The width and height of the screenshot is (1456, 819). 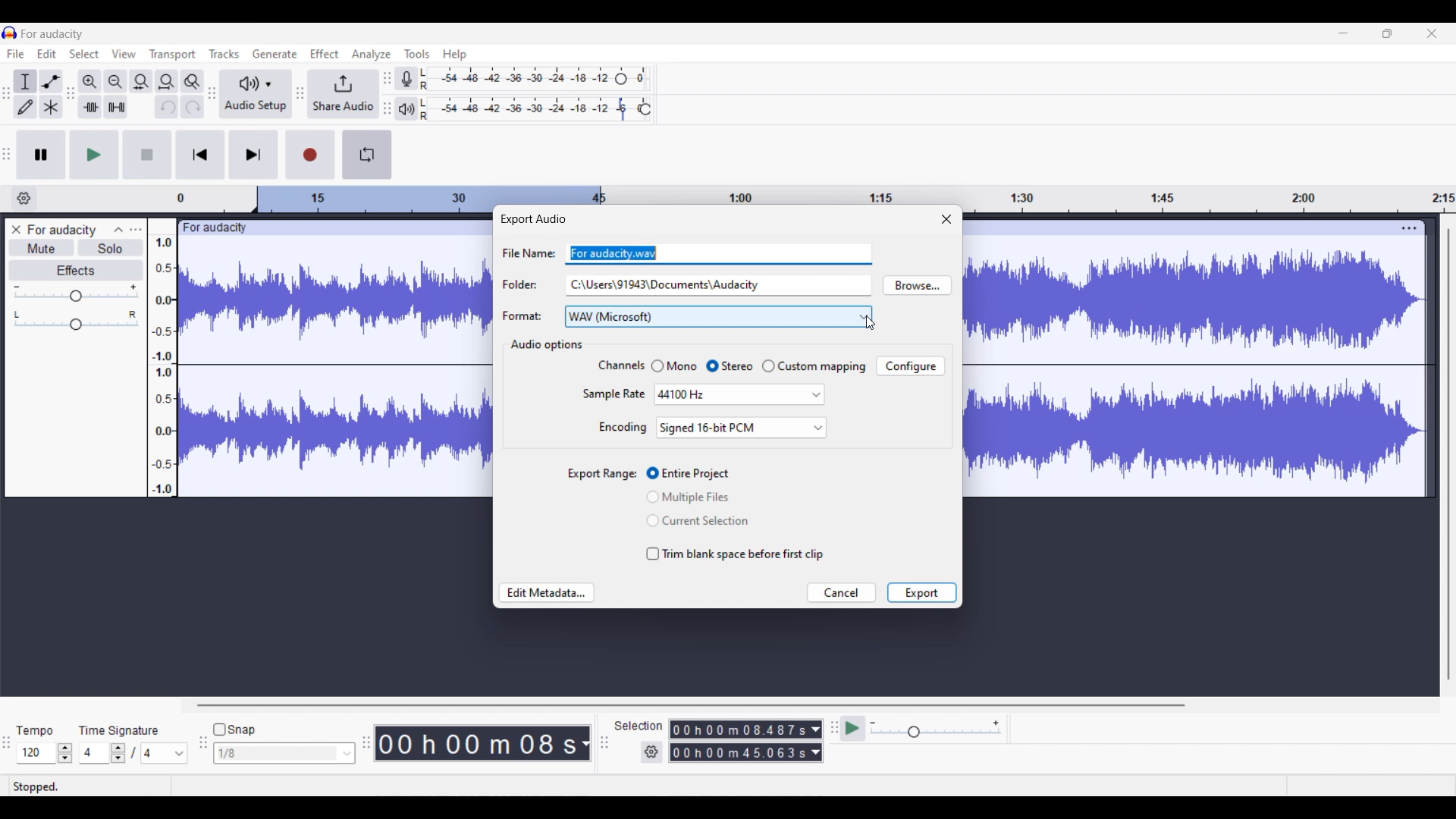 What do you see at coordinates (42, 247) in the screenshot?
I see `Mute` at bounding box center [42, 247].